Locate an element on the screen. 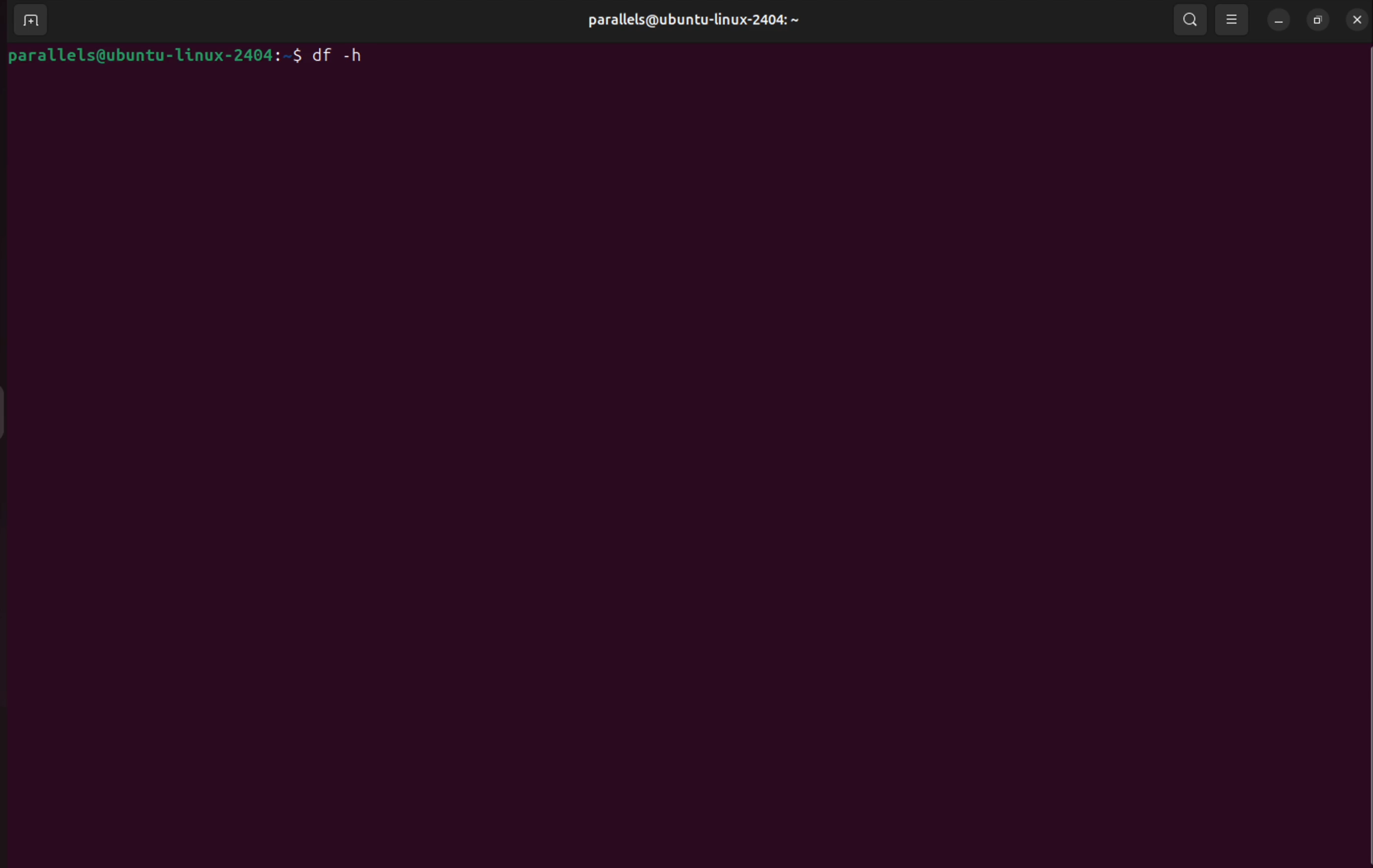  view options is located at coordinates (1233, 19).